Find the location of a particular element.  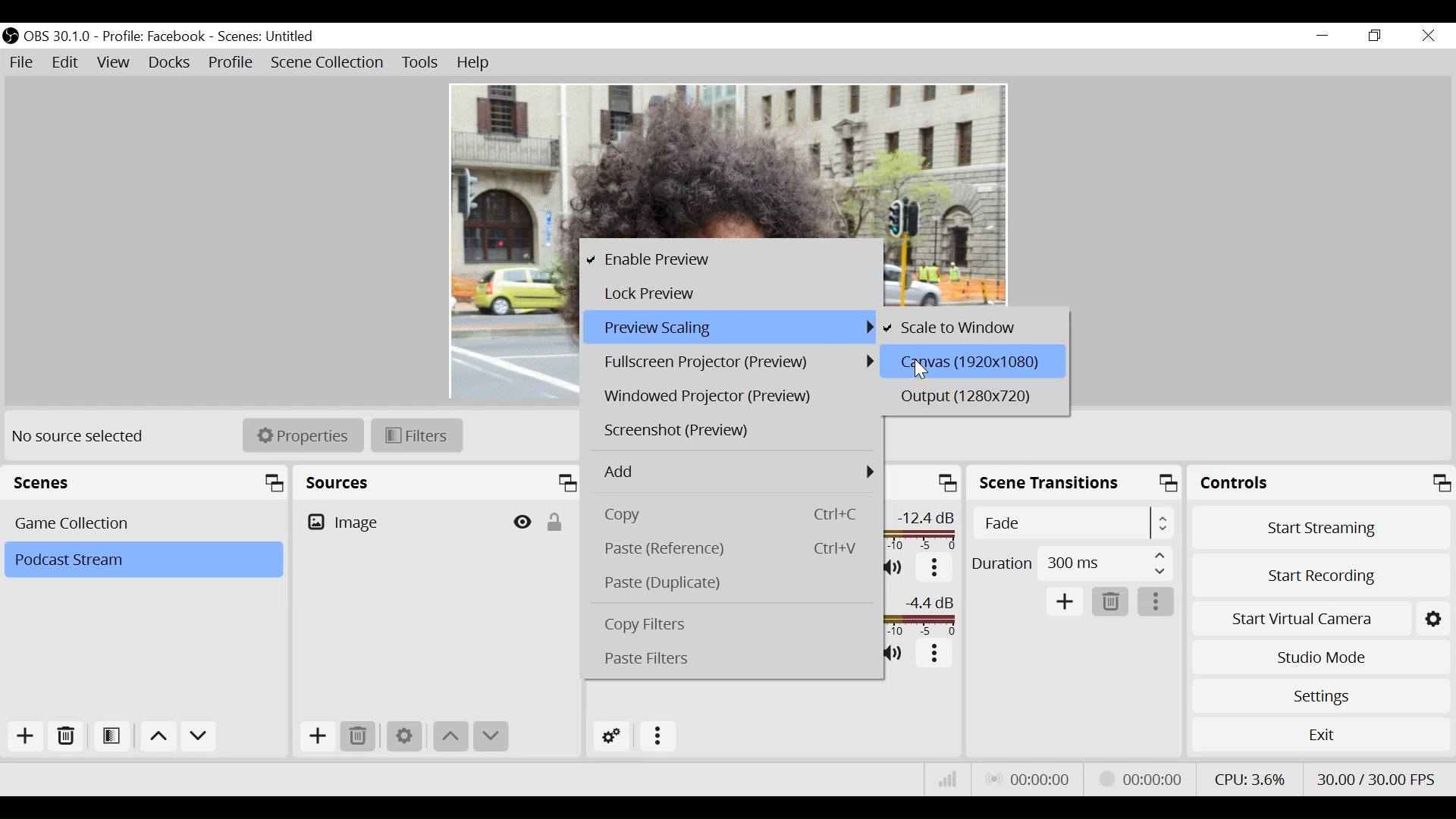

OBS Version is located at coordinates (58, 37).